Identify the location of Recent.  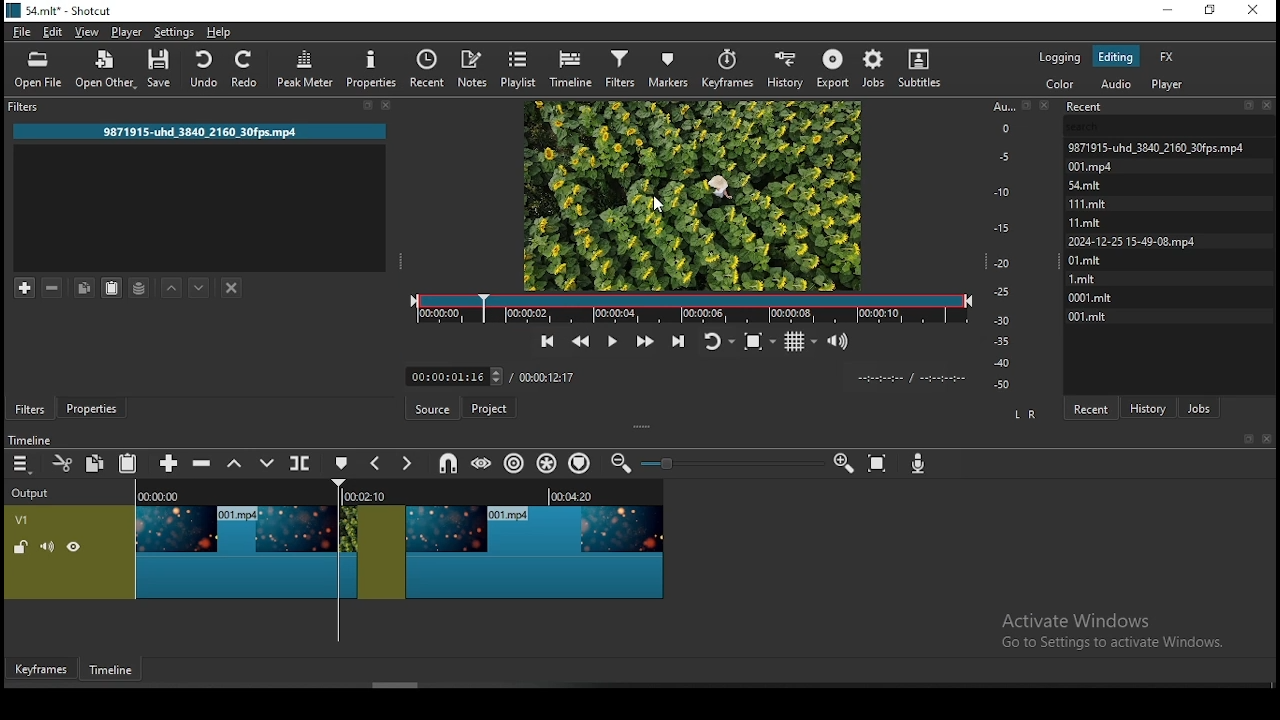
(1171, 107).